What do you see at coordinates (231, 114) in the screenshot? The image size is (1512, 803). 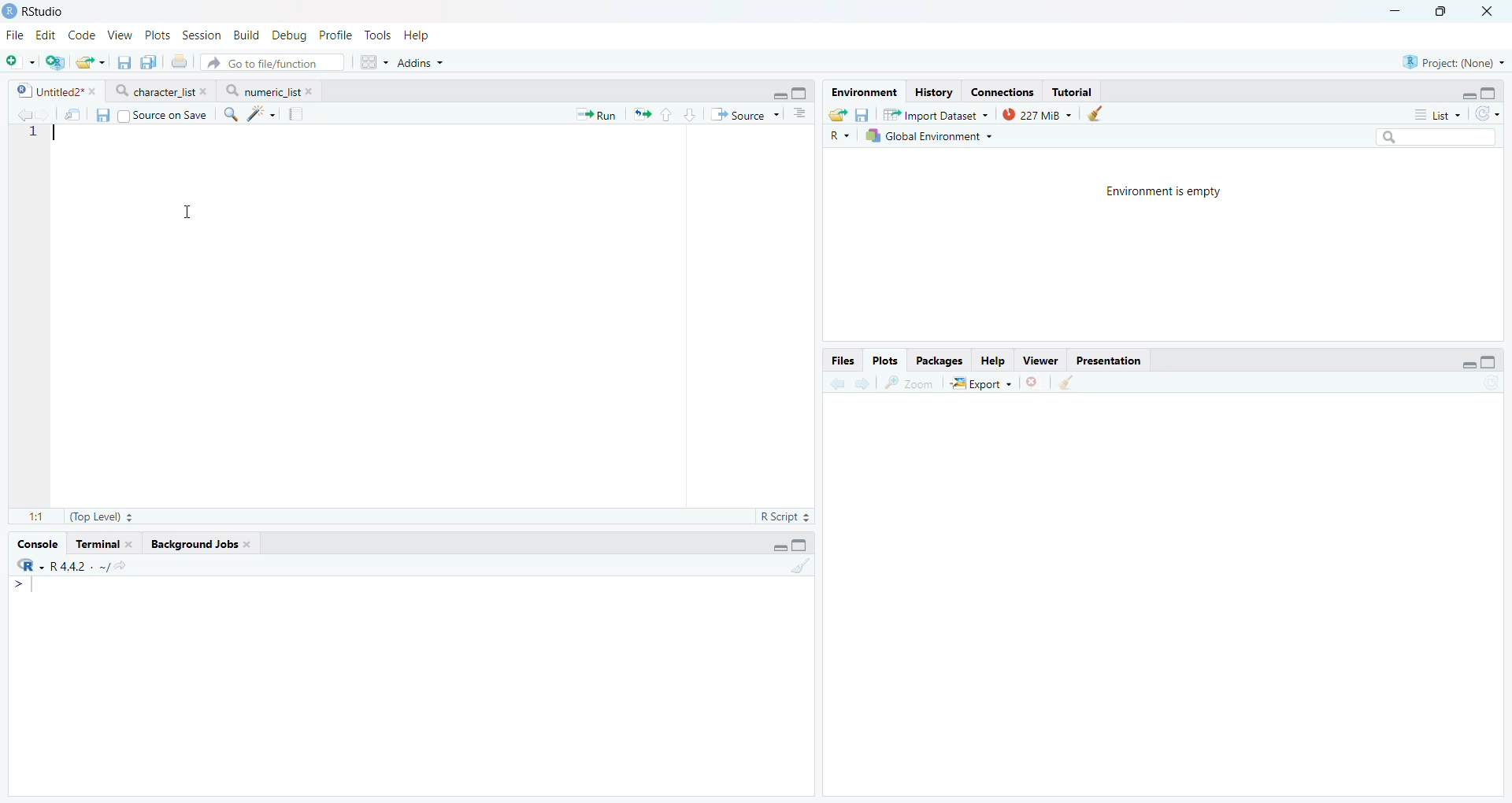 I see `Find/Replace` at bounding box center [231, 114].